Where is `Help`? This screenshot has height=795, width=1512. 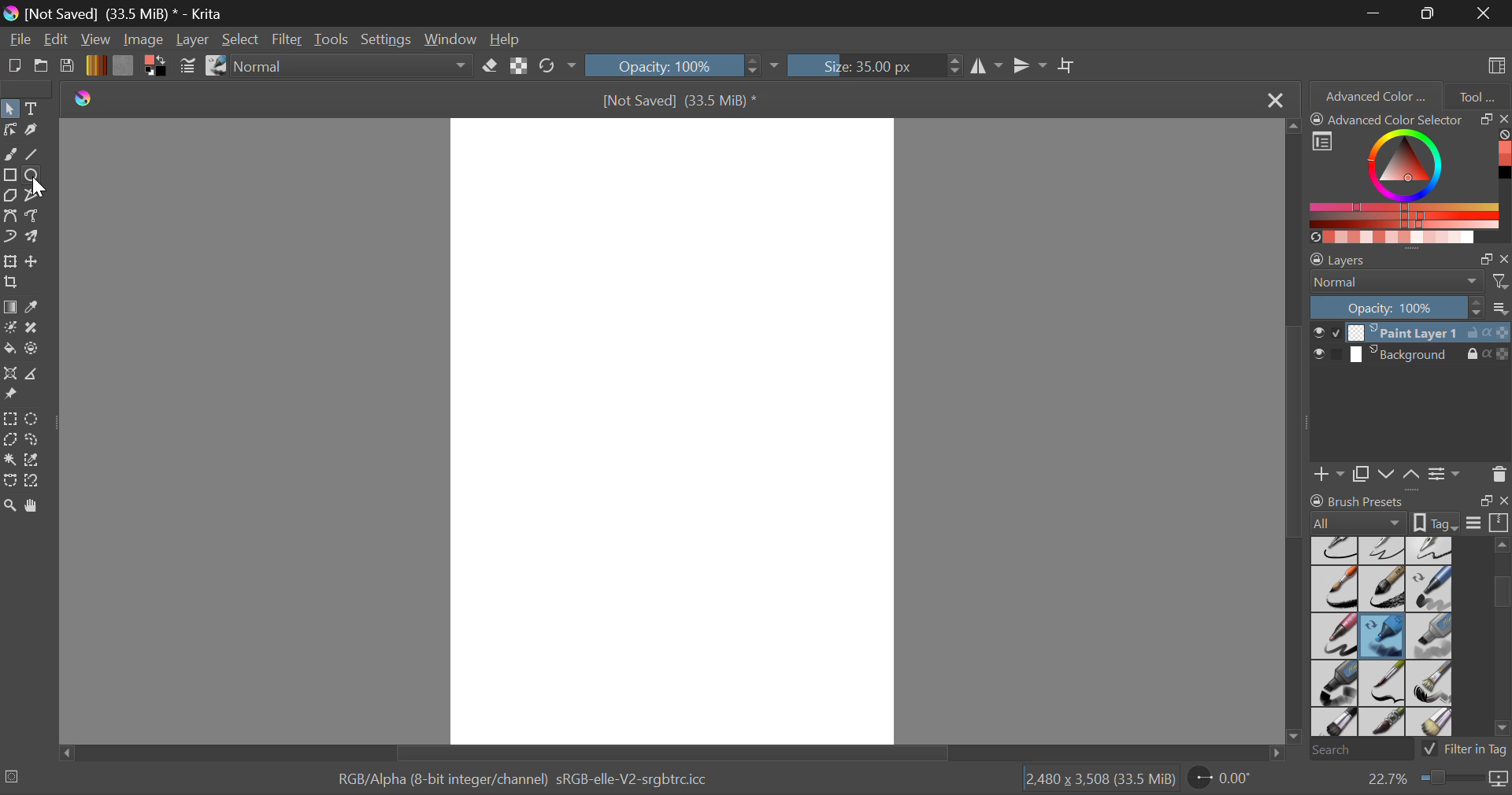 Help is located at coordinates (507, 41).